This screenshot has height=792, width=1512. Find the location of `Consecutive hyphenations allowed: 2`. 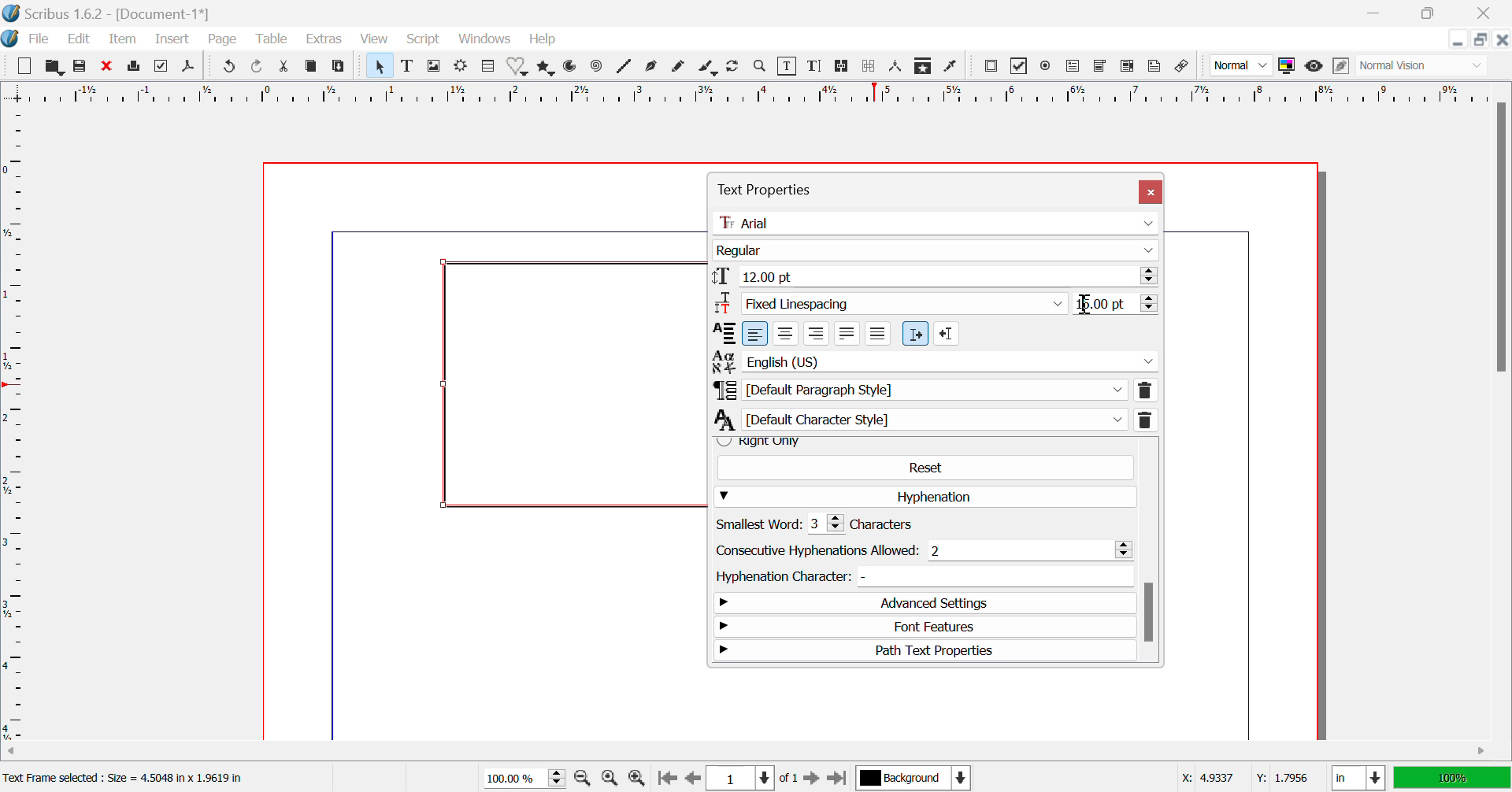

Consecutive hyphenations allowed: 2 is located at coordinates (923, 550).